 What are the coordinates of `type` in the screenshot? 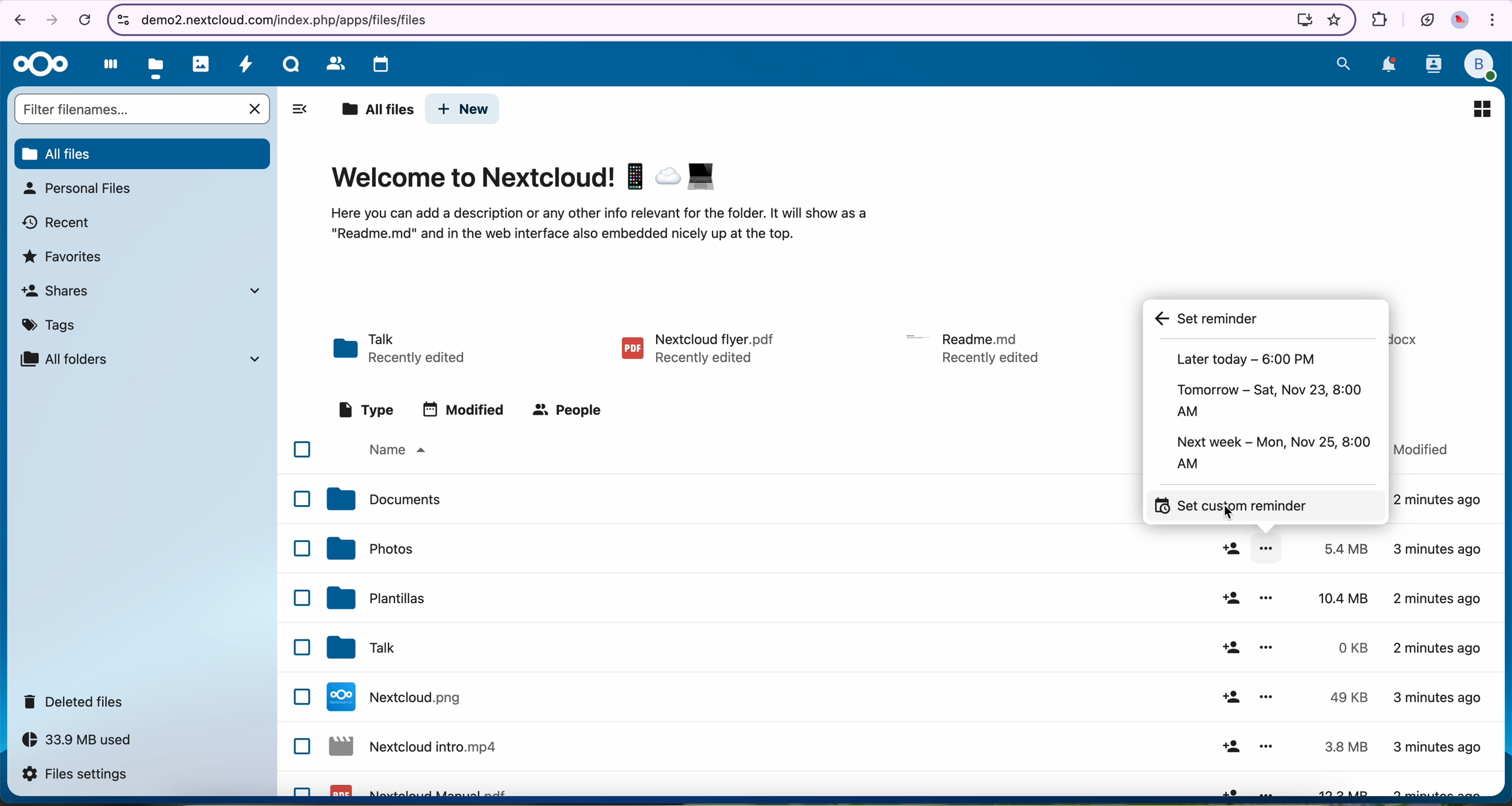 It's located at (365, 409).